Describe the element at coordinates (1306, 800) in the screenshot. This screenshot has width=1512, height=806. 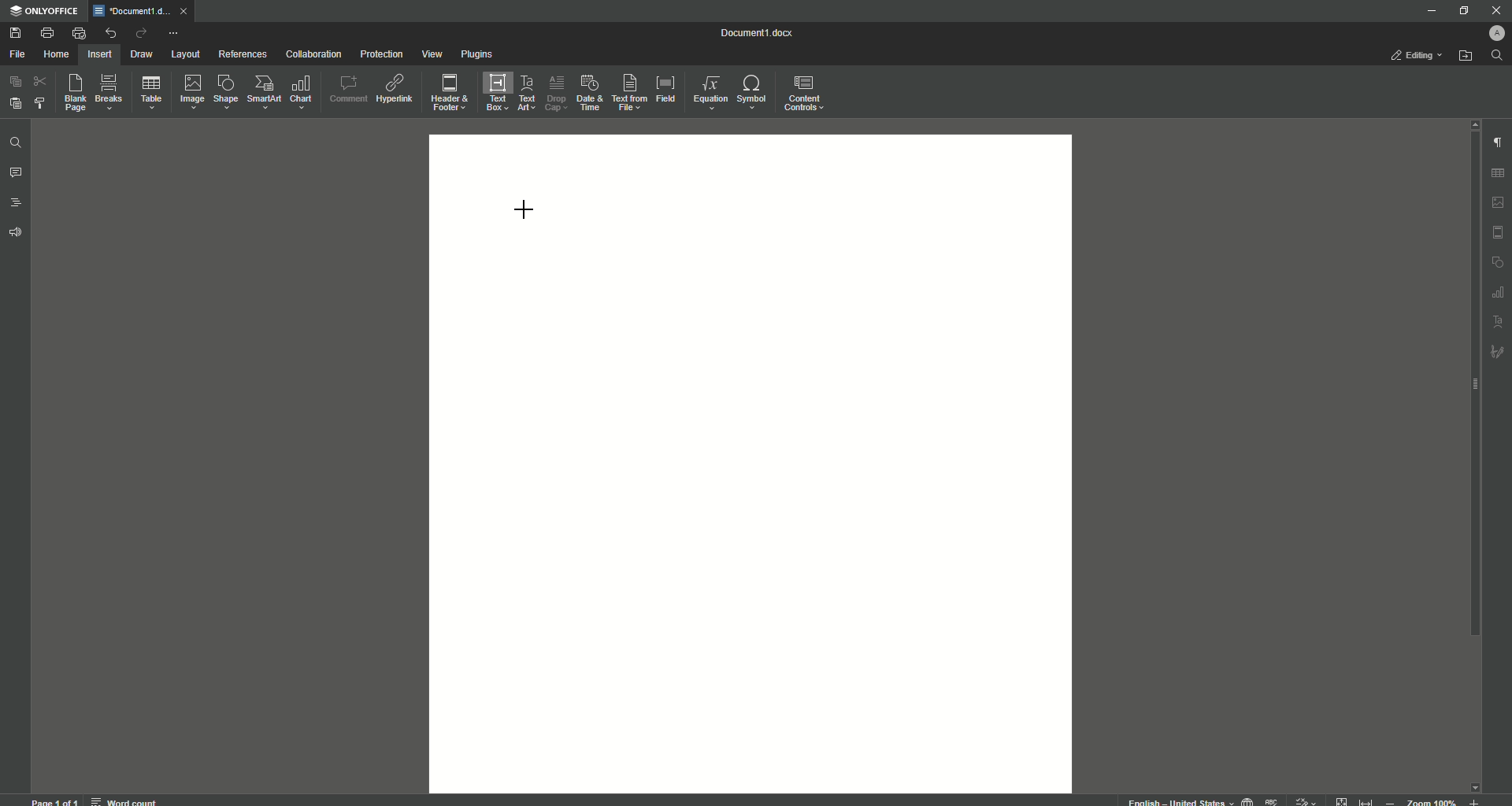
I see `track changes` at that location.